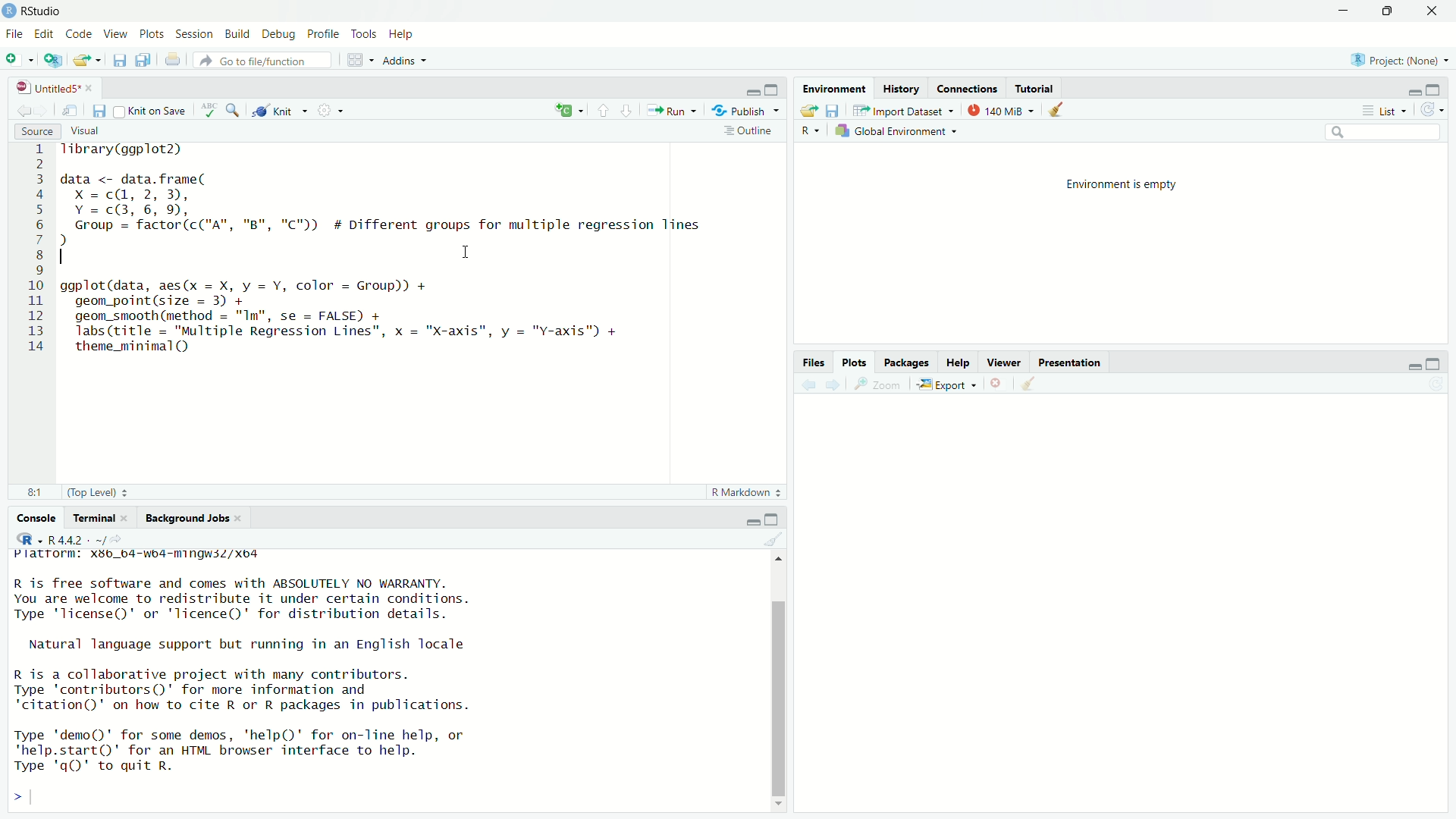 The height and width of the screenshot is (819, 1456). I want to click on Viewer, so click(1003, 362).